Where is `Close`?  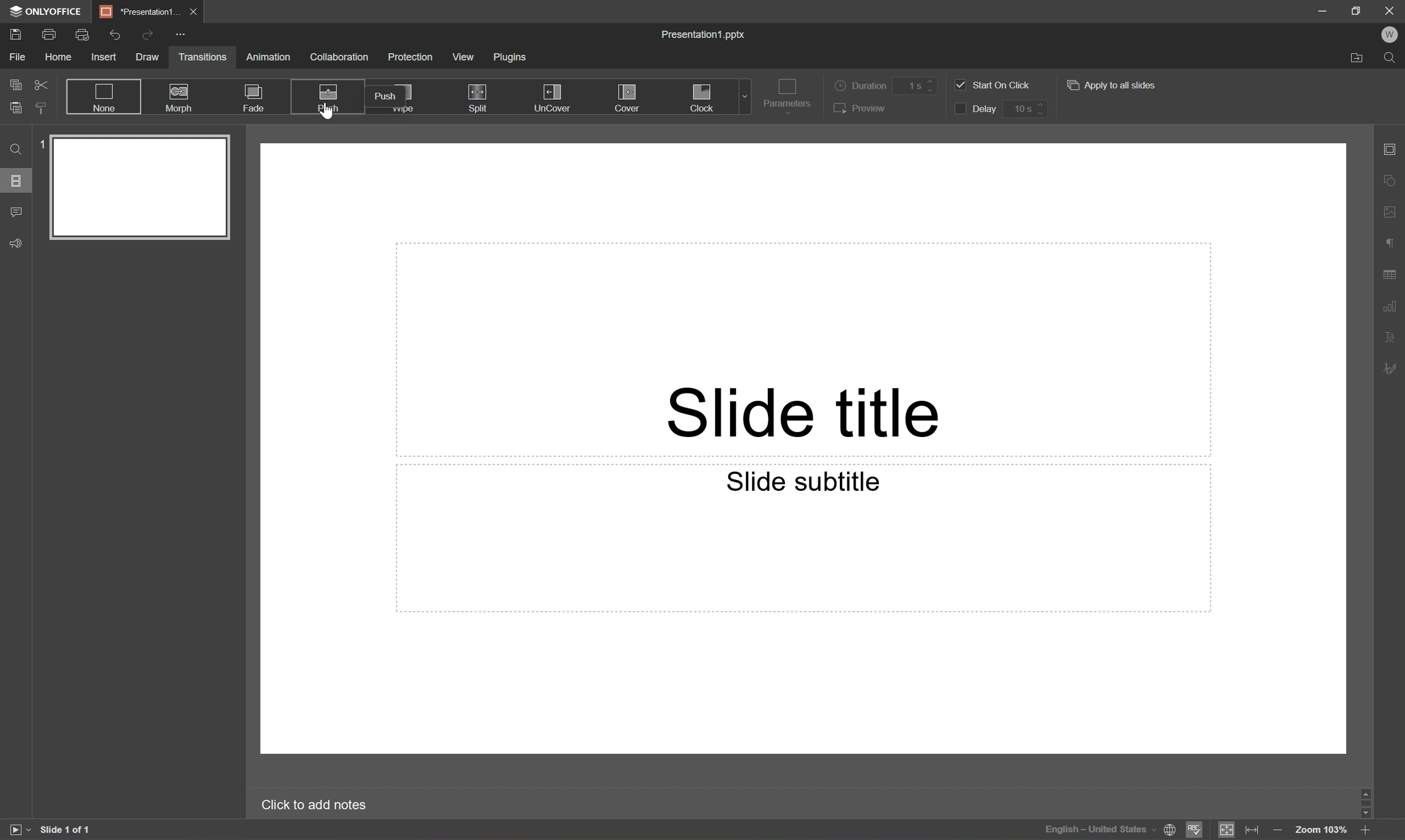
Close is located at coordinates (194, 11).